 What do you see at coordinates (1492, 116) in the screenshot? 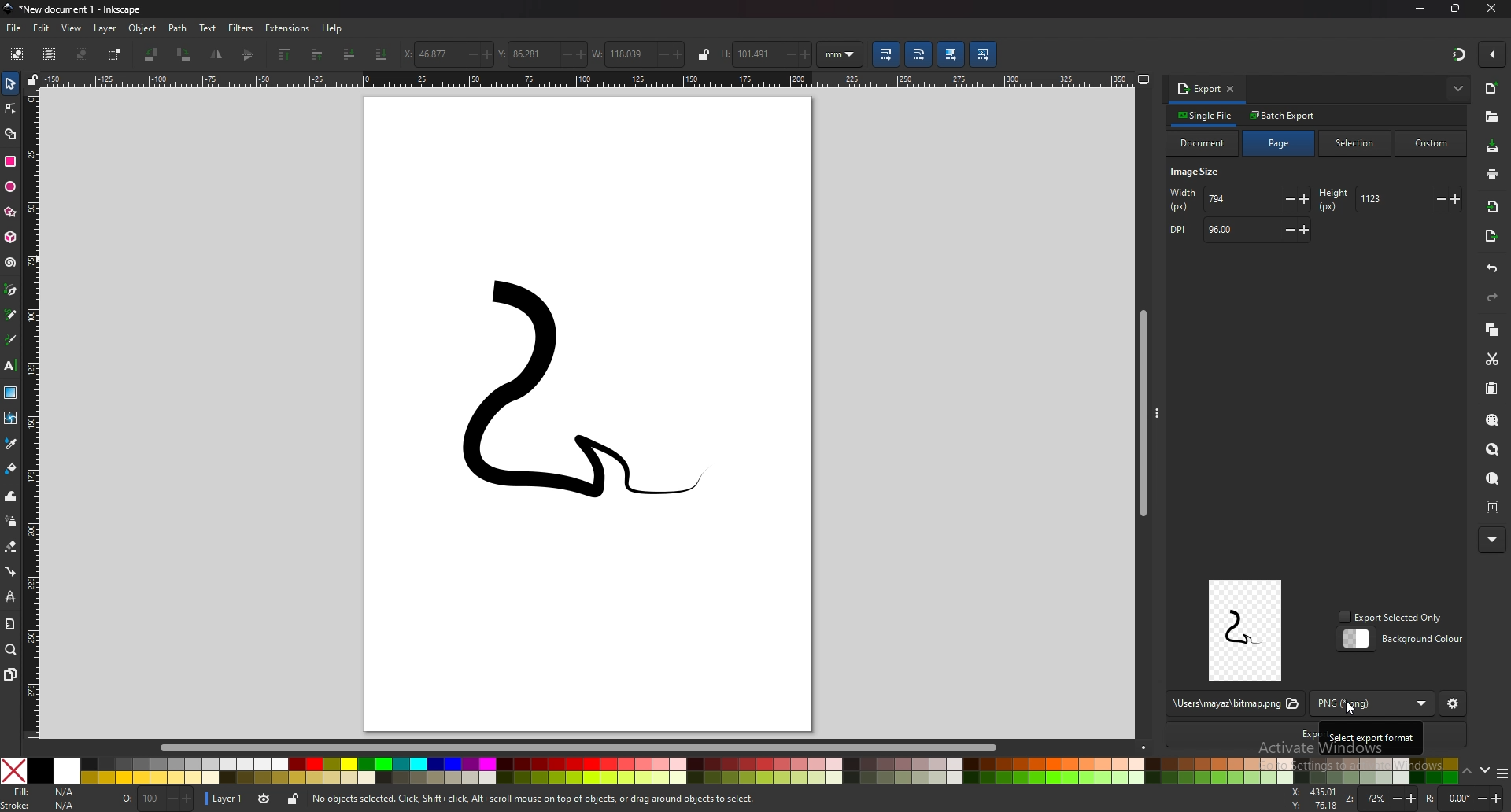
I see `open` at bounding box center [1492, 116].